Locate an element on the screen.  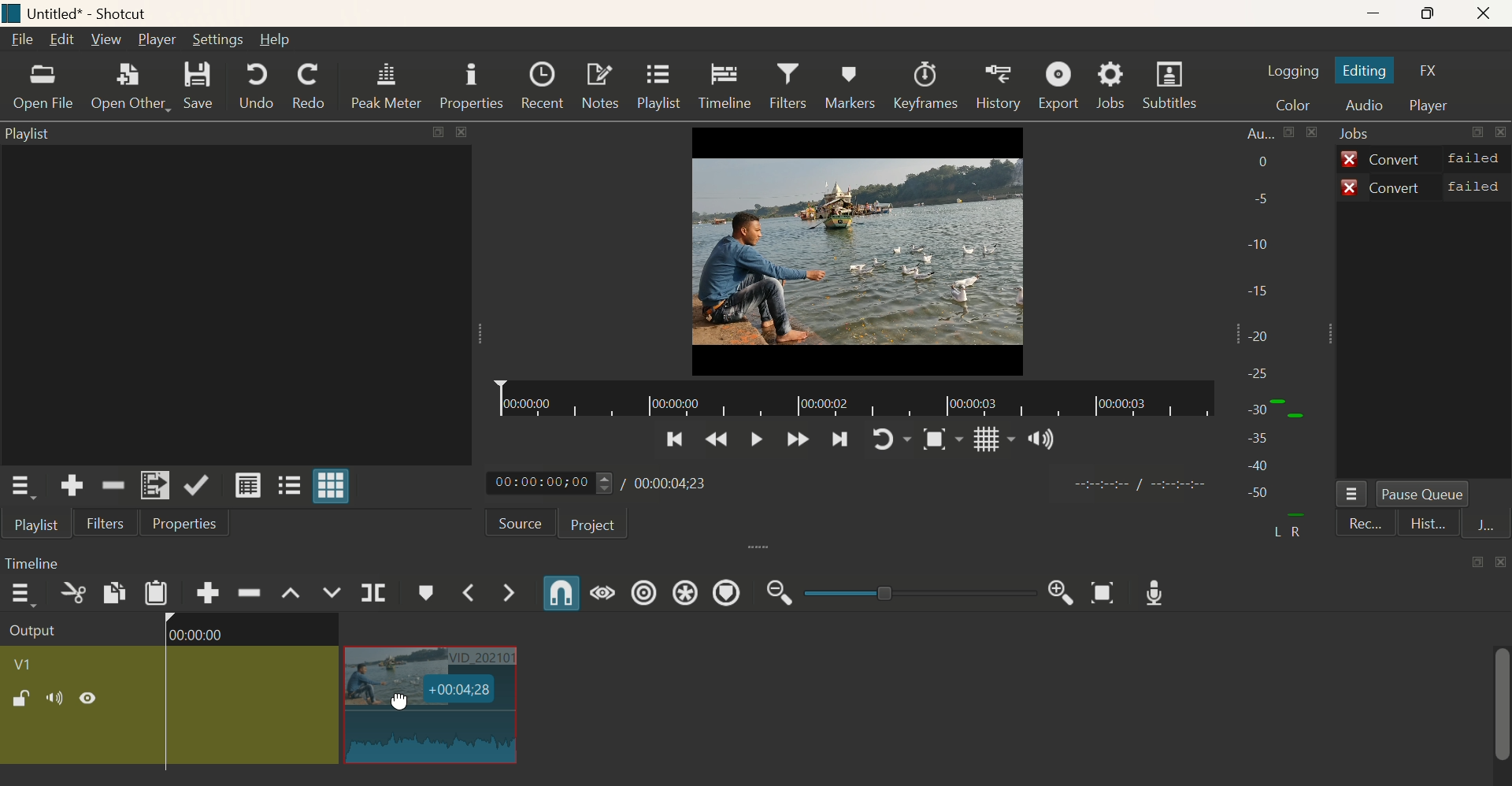
Playlist is located at coordinates (658, 87).